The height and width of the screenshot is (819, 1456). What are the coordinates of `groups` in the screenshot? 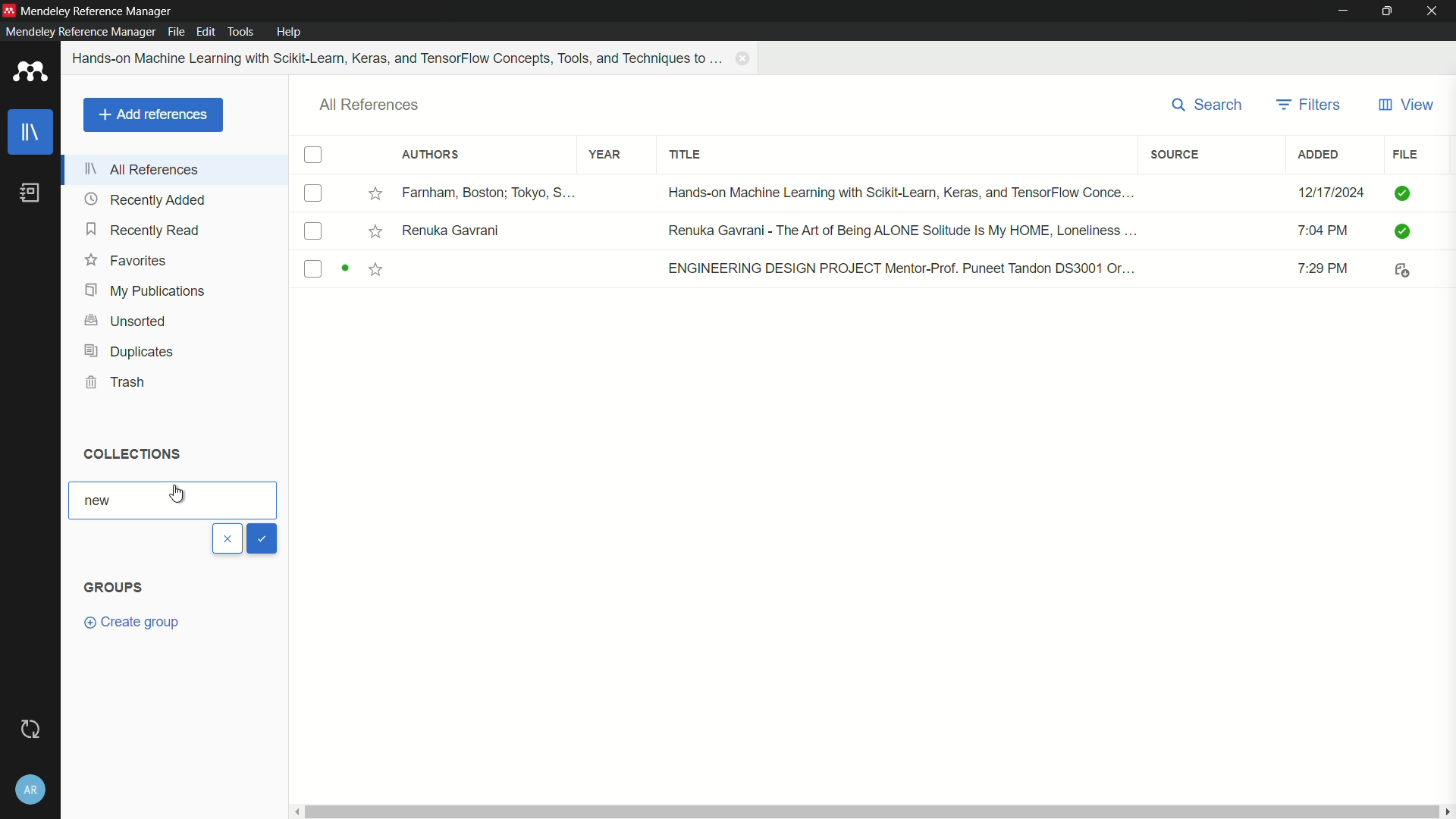 It's located at (112, 588).